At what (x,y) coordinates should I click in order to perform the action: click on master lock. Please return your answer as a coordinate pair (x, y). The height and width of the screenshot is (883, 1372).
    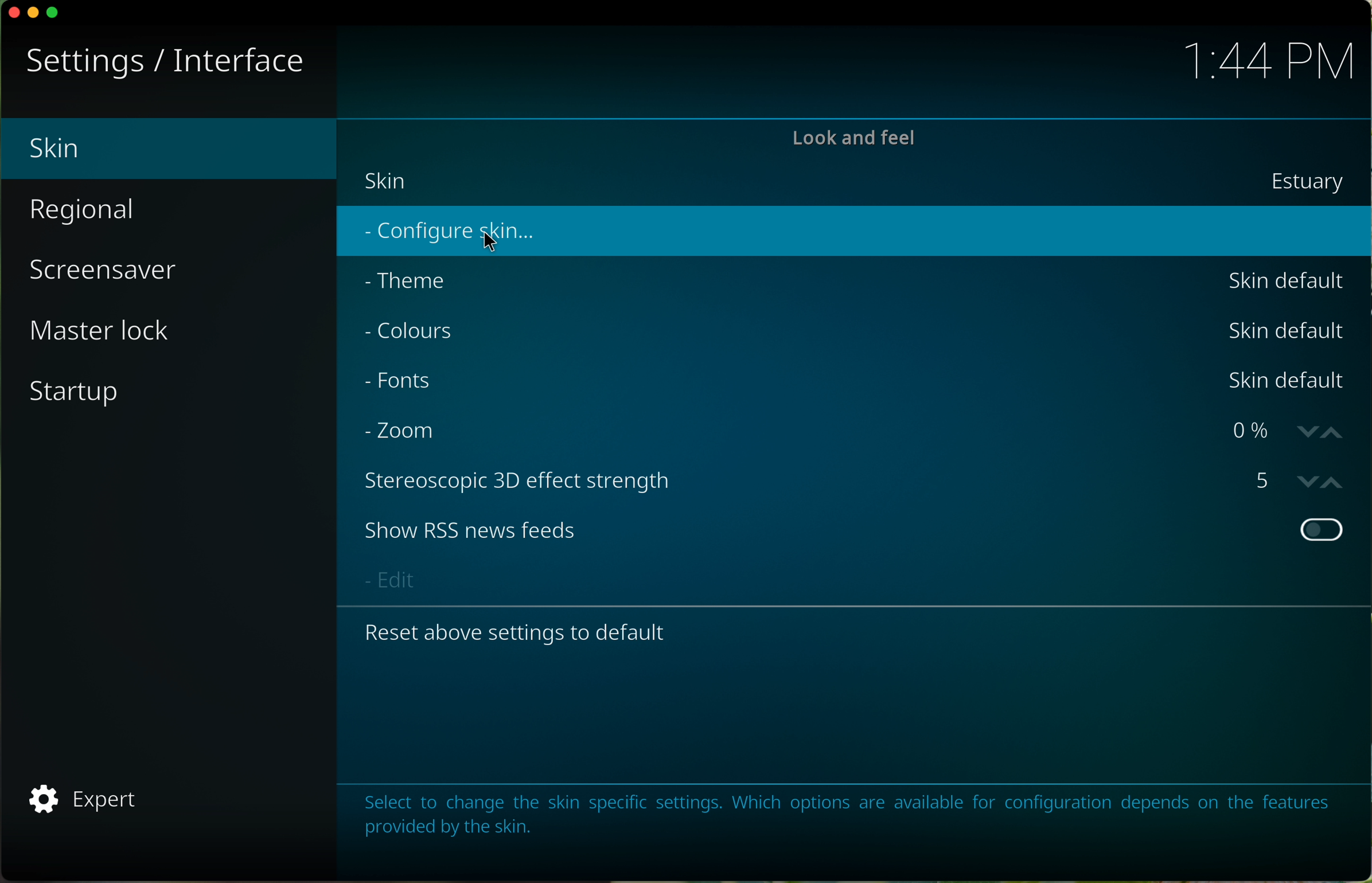
    Looking at the image, I should click on (106, 332).